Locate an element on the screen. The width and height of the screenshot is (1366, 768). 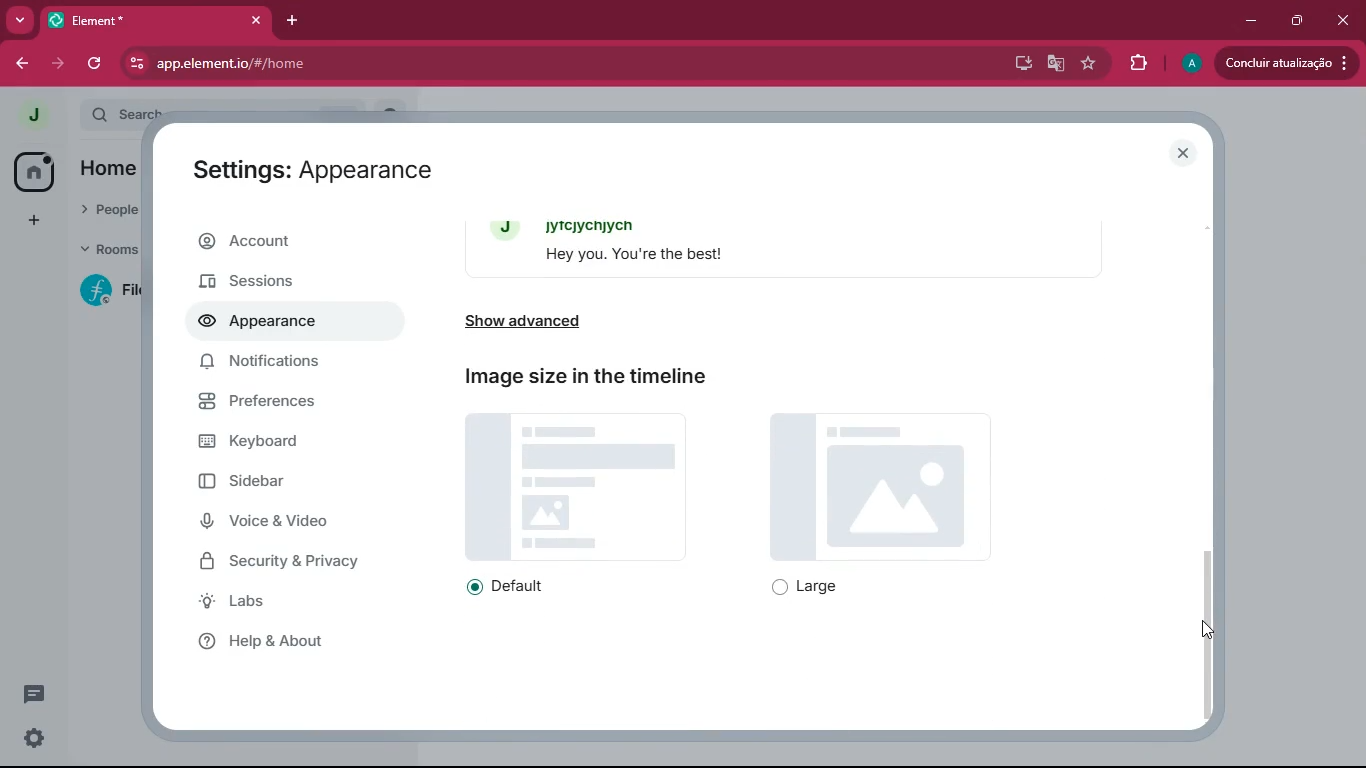
close is located at coordinates (1340, 19).